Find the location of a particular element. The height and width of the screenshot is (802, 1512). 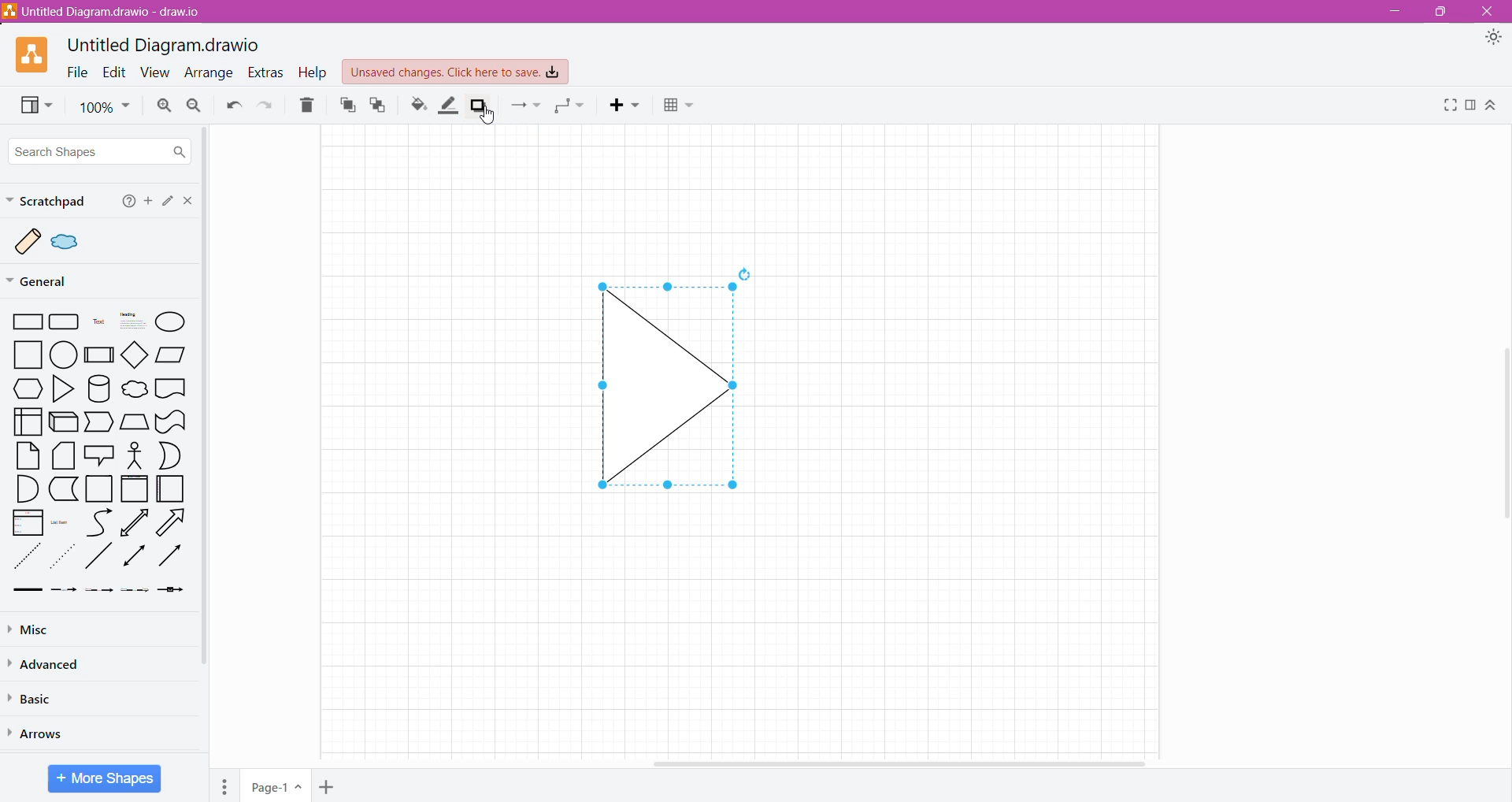

Scratched shape 2 is located at coordinates (79, 247).